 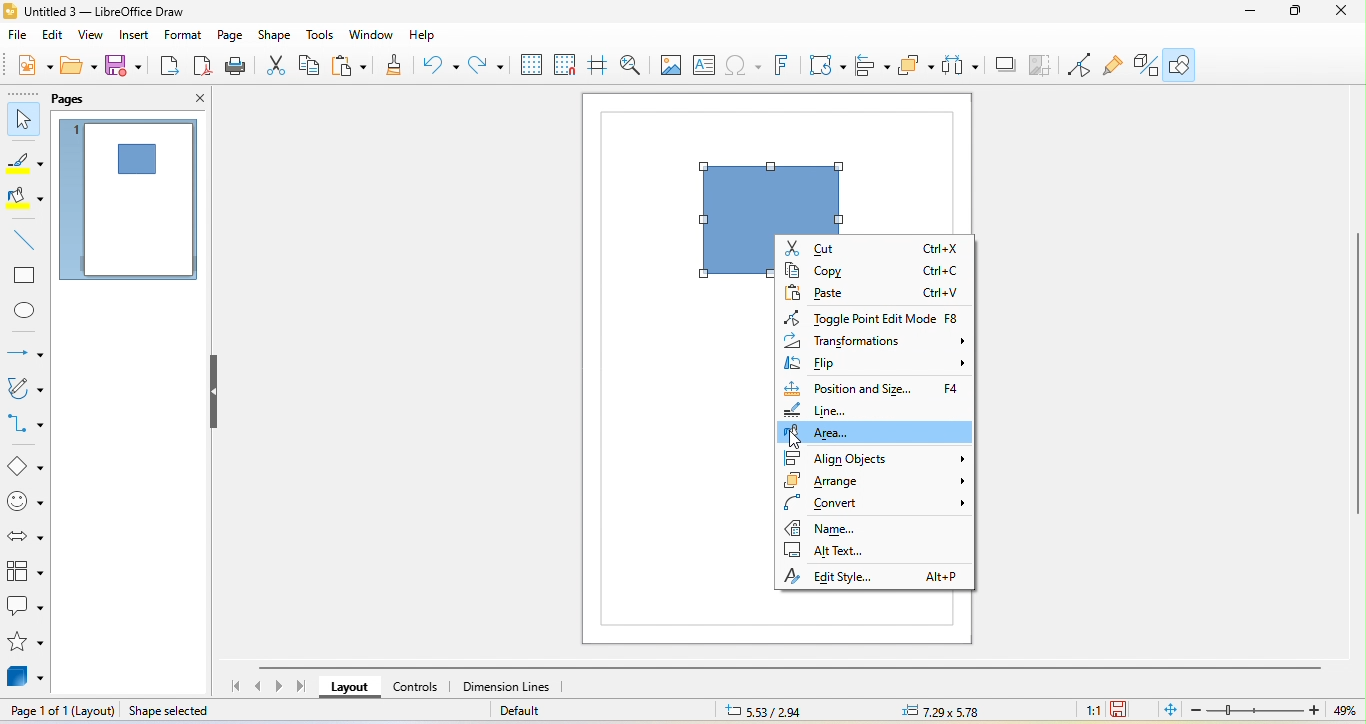 What do you see at coordinates (277, 35) in the screenshot?
I see `shape` at bounding box center [277, 35].